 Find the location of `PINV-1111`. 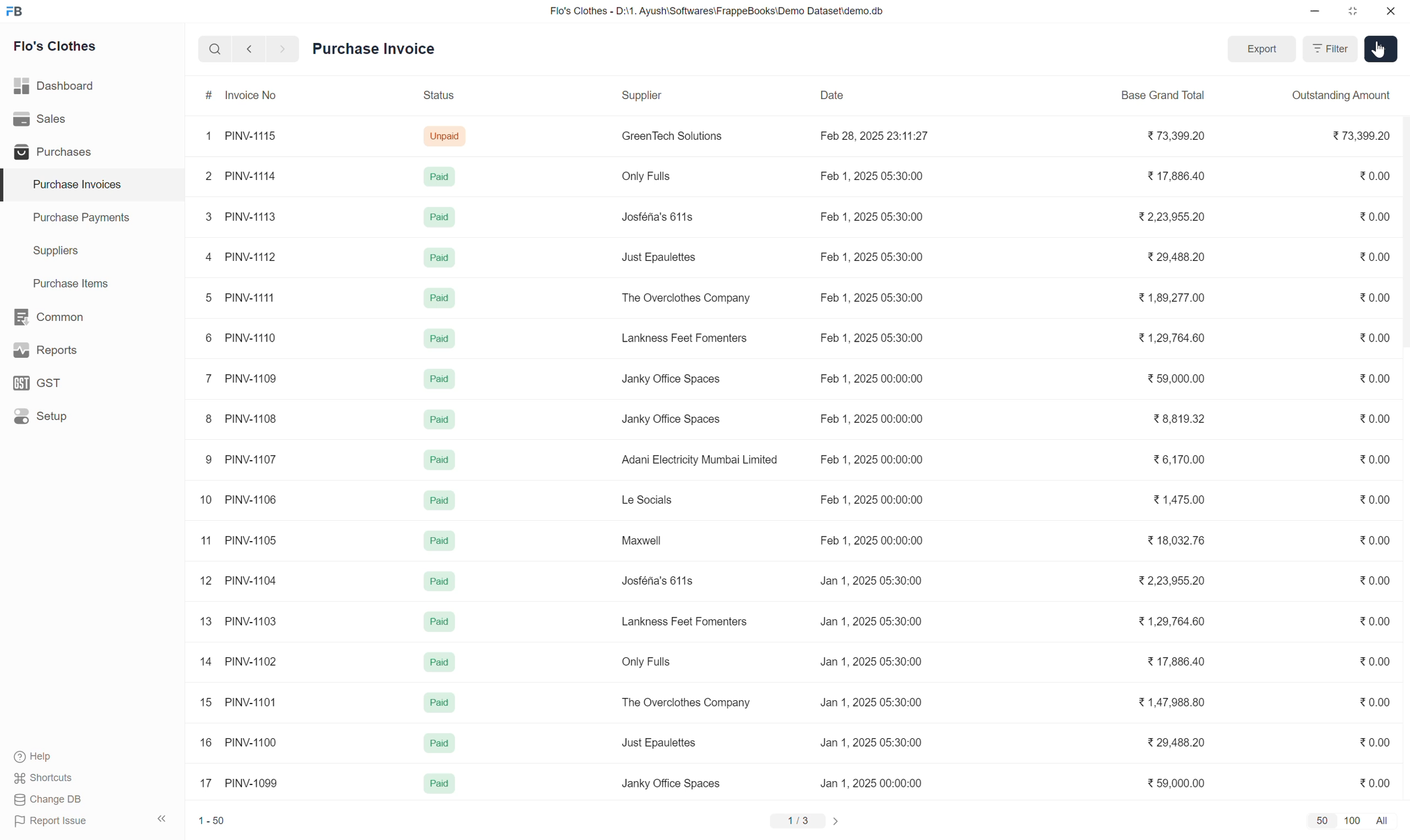

PINV-1111 is located at coordinates (250, 298).